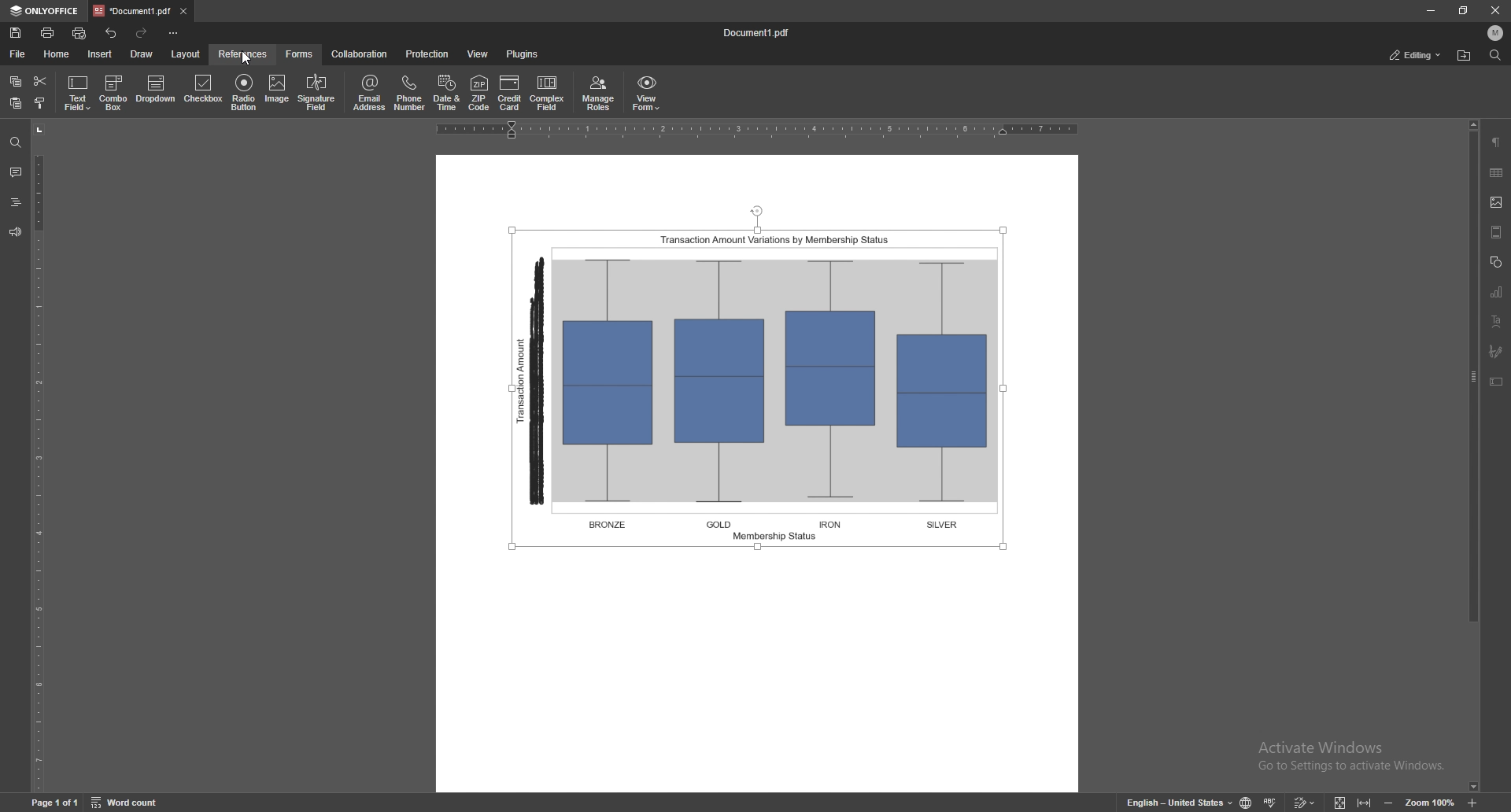  I want to click on fit to screen, so click(1341, 801).